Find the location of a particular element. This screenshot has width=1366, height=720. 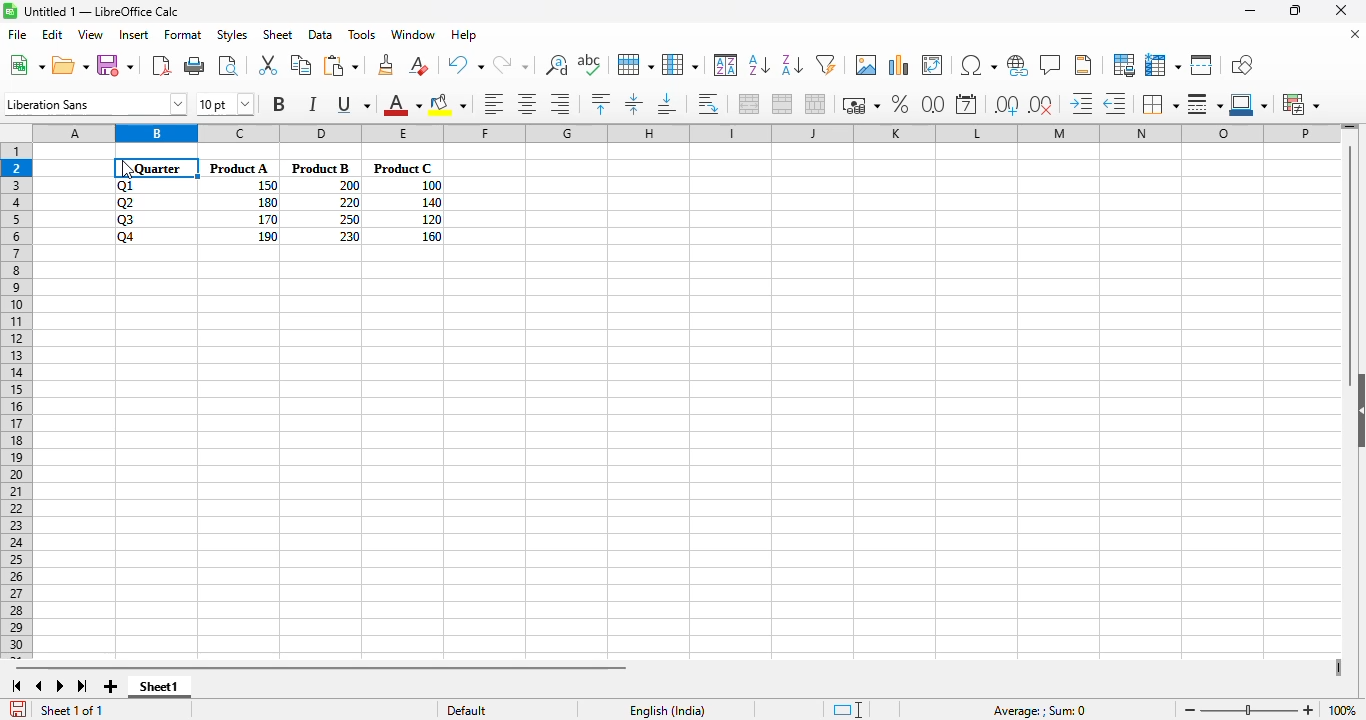

border style is located at coordinates (1205, 104).